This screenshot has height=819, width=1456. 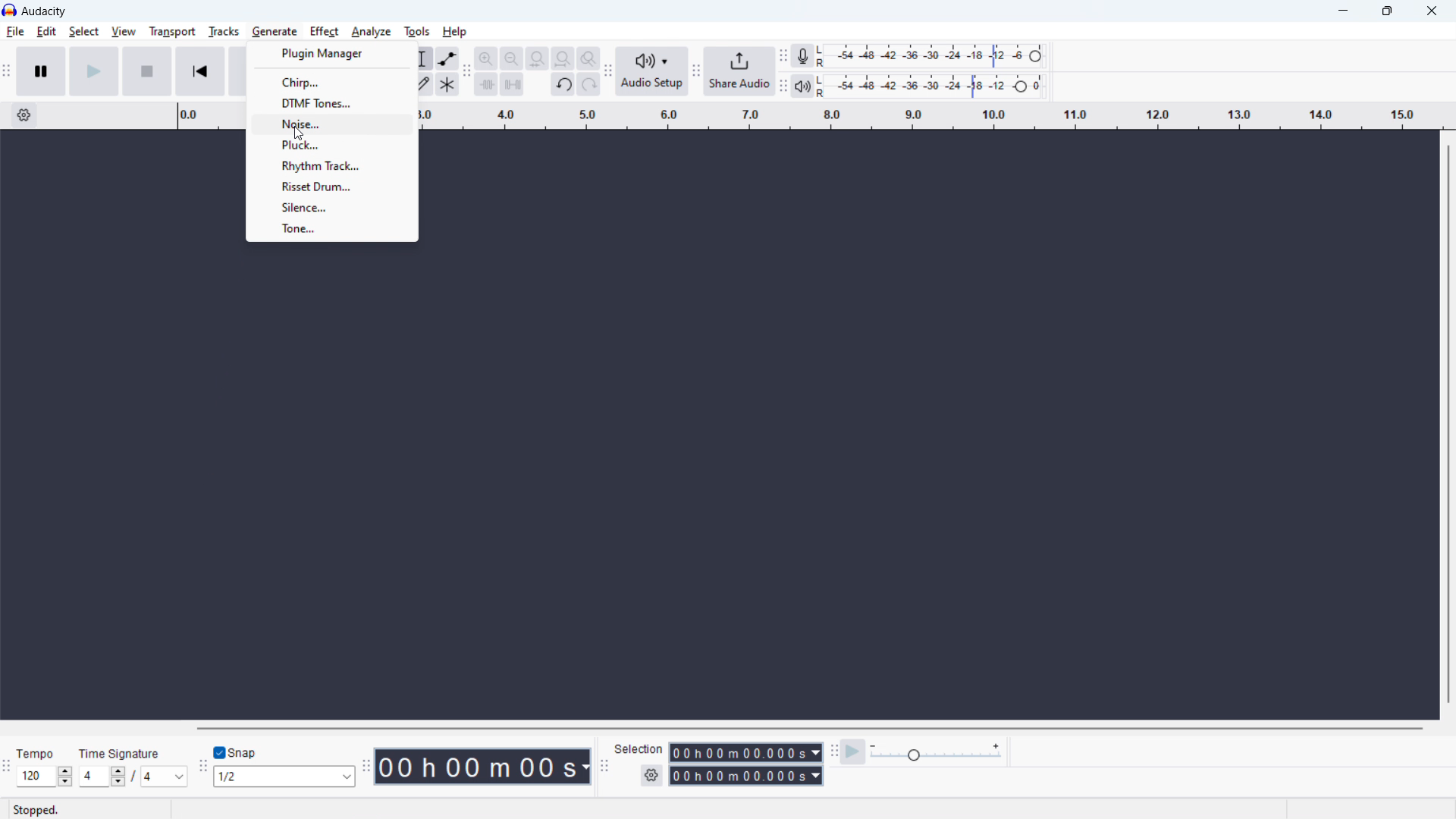 I want to click on transport, so click(x=172, y=31).